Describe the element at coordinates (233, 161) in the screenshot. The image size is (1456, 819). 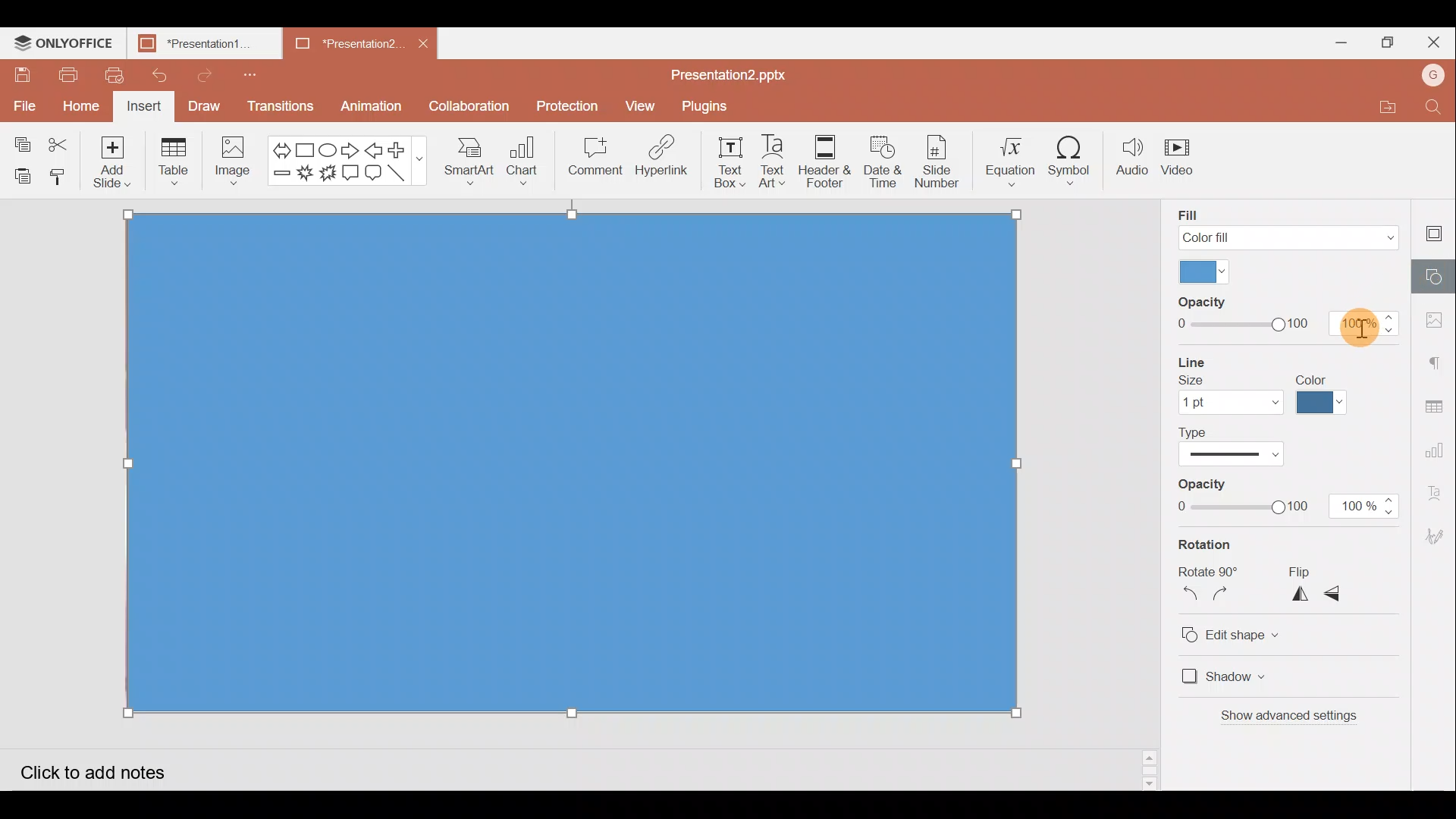
I see `Image` at that location.